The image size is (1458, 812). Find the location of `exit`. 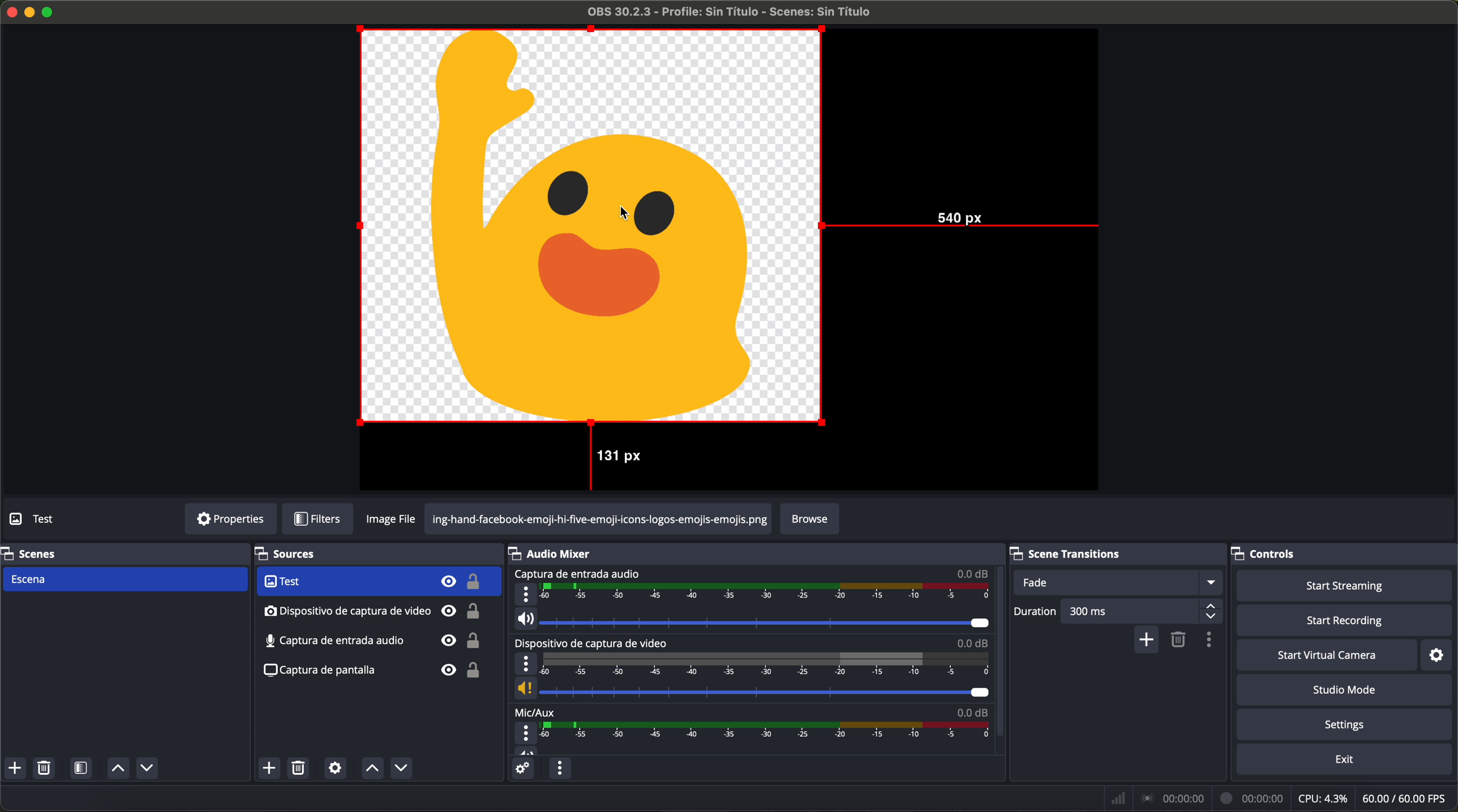

exit is located at coordinates (1346, 761).